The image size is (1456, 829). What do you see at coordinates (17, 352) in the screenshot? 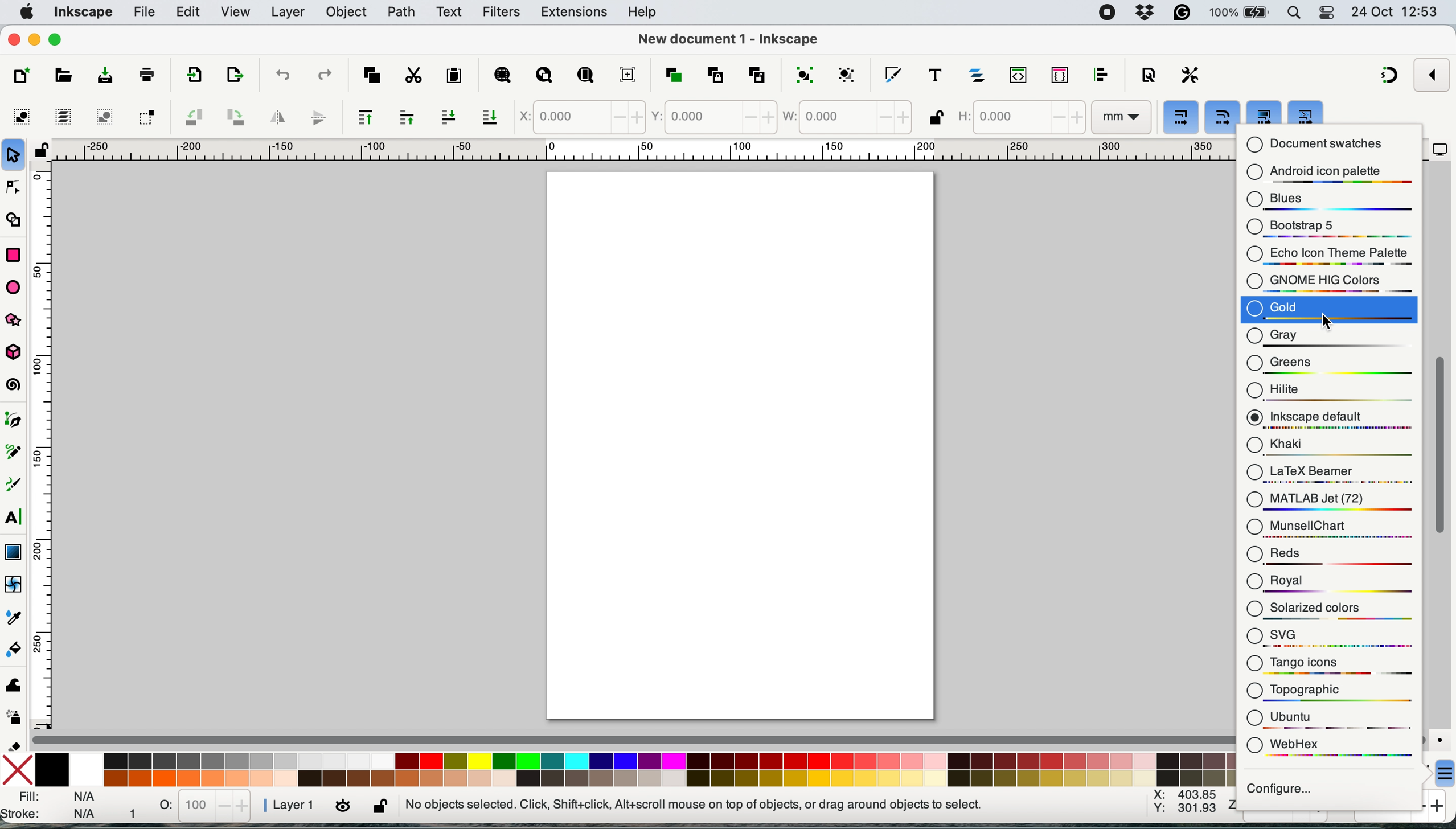
I see `3d box tool` at bounding box center [17, 352].